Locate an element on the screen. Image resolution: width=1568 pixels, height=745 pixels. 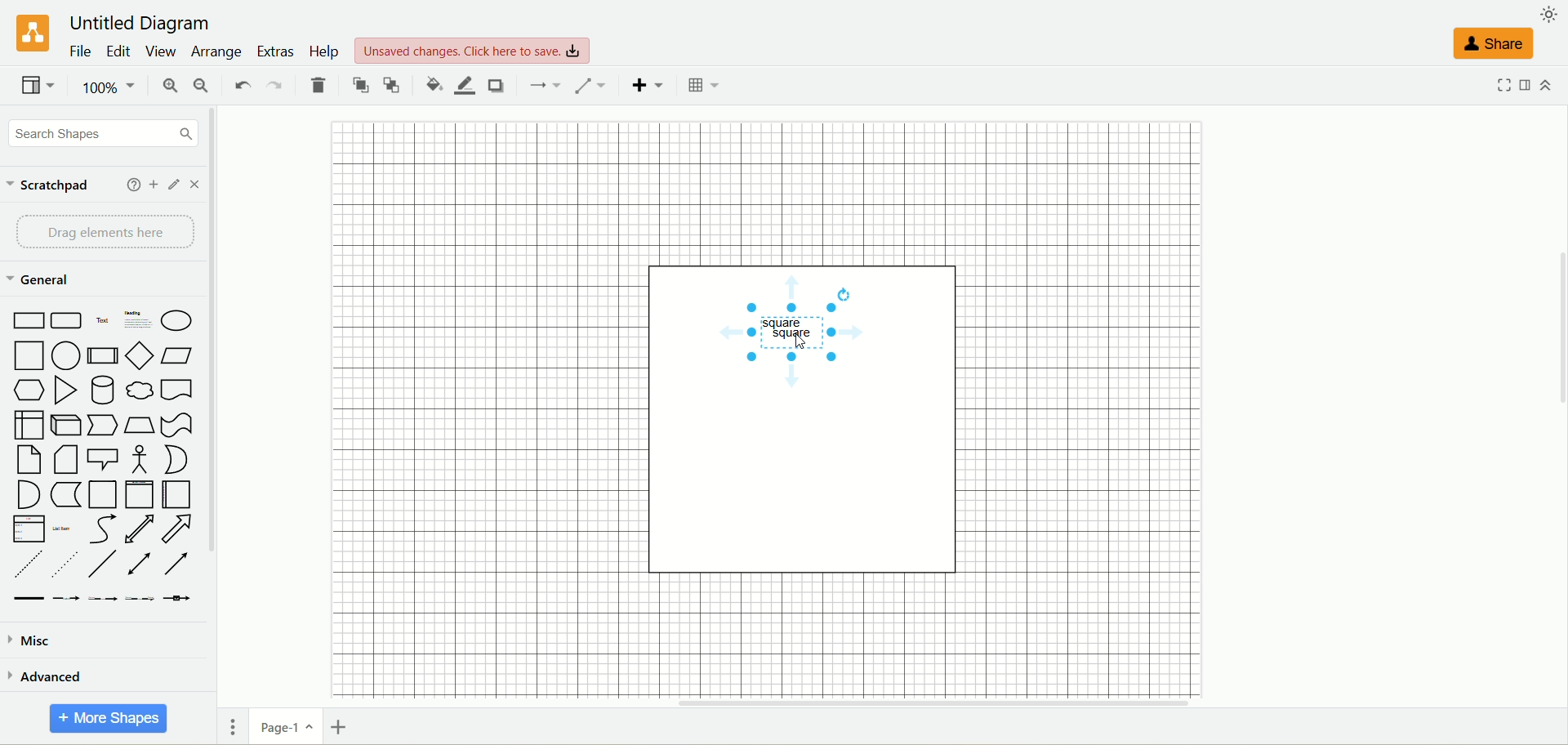
view is located at coordinates (160, 52).